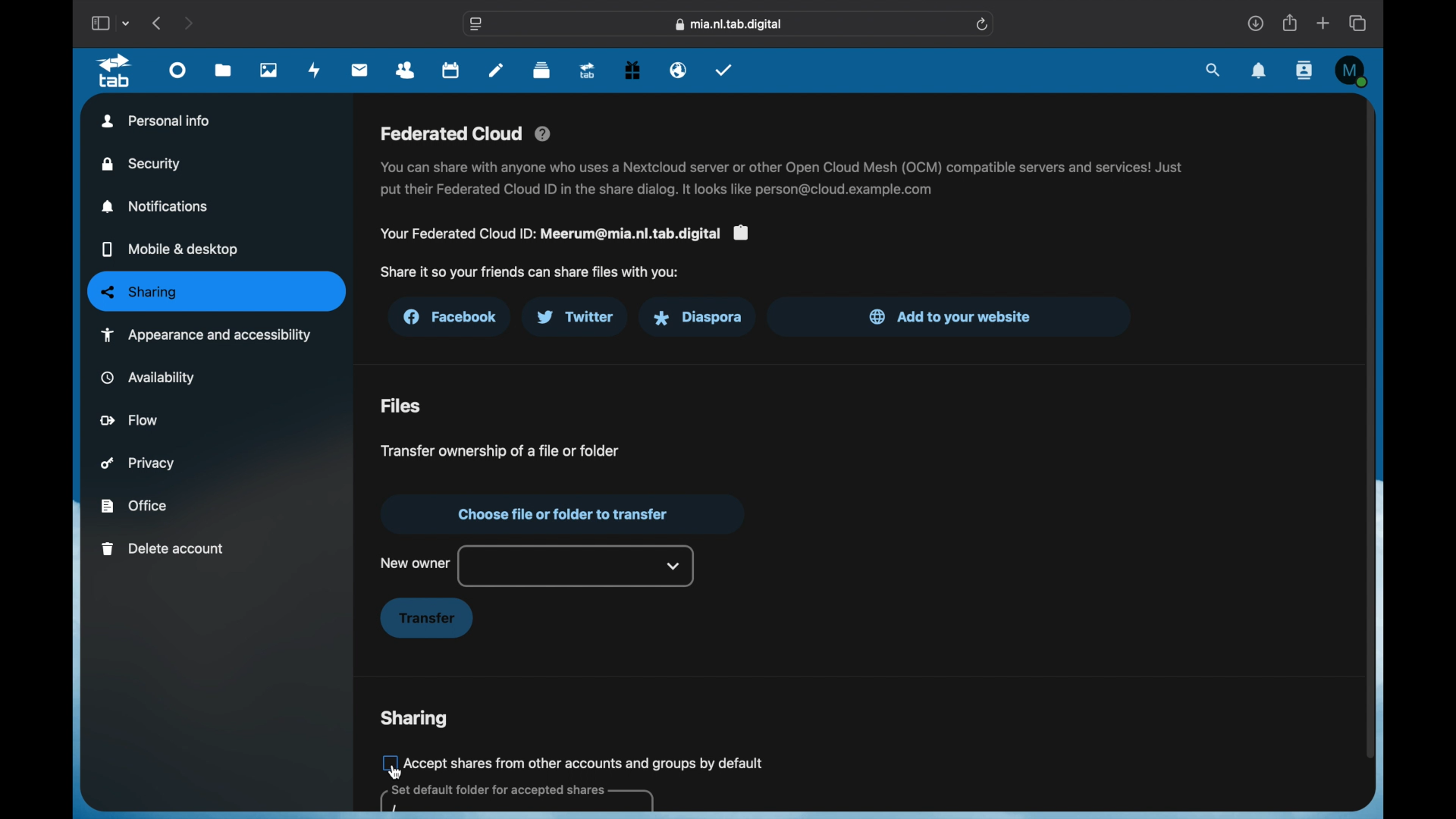  What do you see at coordinates (128, 24) in the screenshot?
I see `tab group picker` at bounding box center [128, 24].